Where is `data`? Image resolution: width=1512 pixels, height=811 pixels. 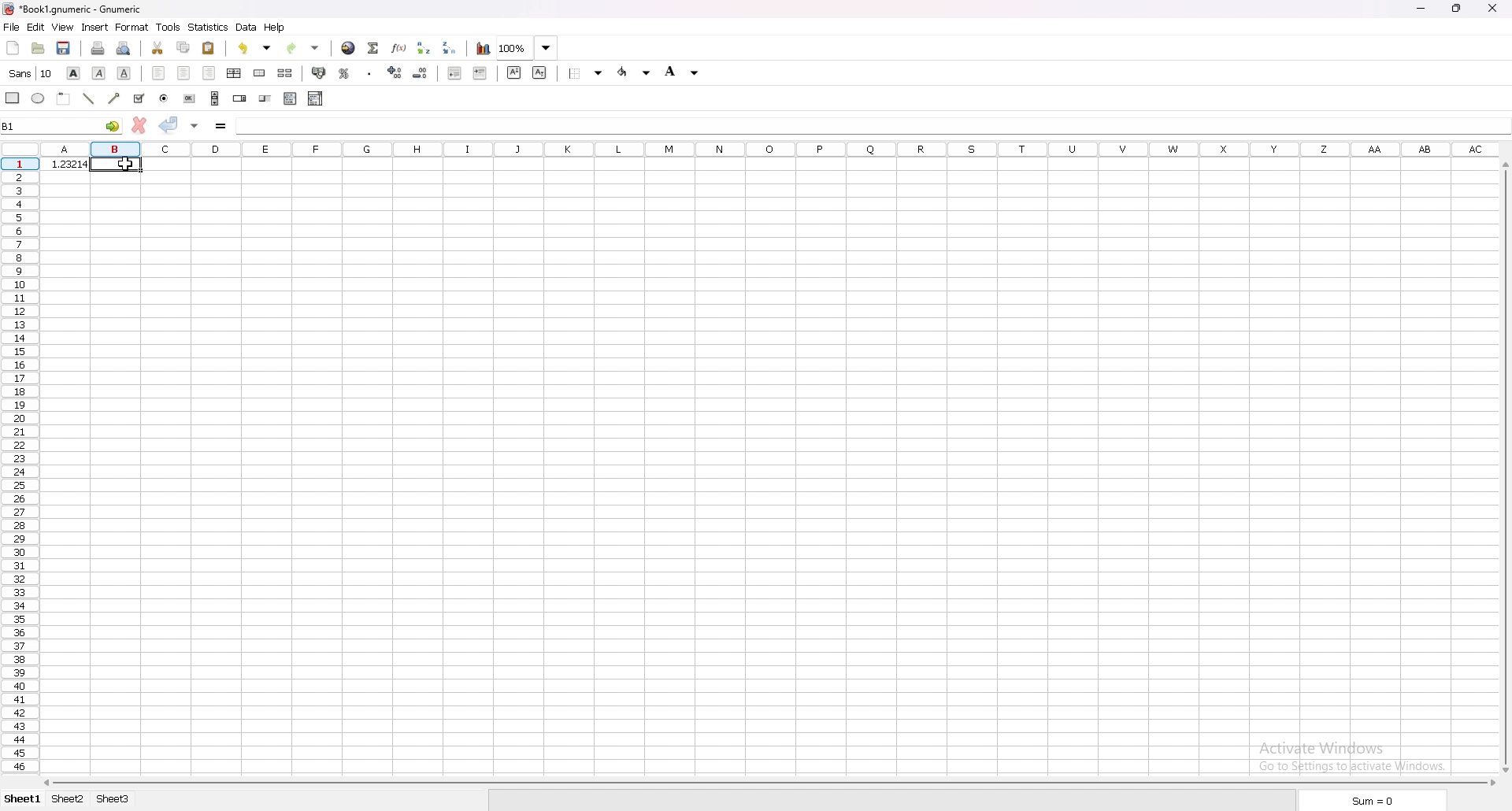 data is located at coordinates (246, 28).